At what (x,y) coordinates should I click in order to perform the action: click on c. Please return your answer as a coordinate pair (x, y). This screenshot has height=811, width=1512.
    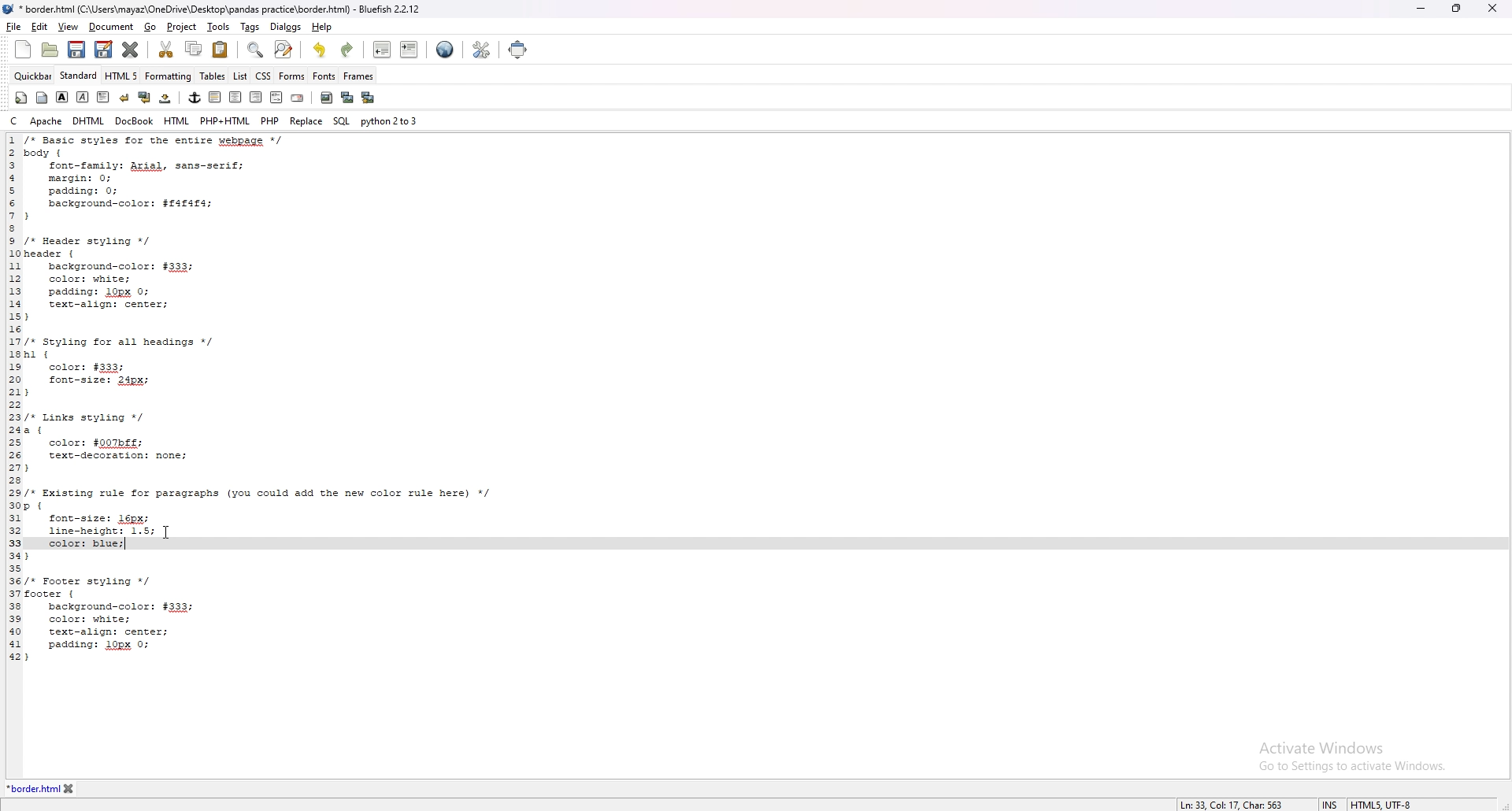
    Looking at the image, I should click on (15, 121).